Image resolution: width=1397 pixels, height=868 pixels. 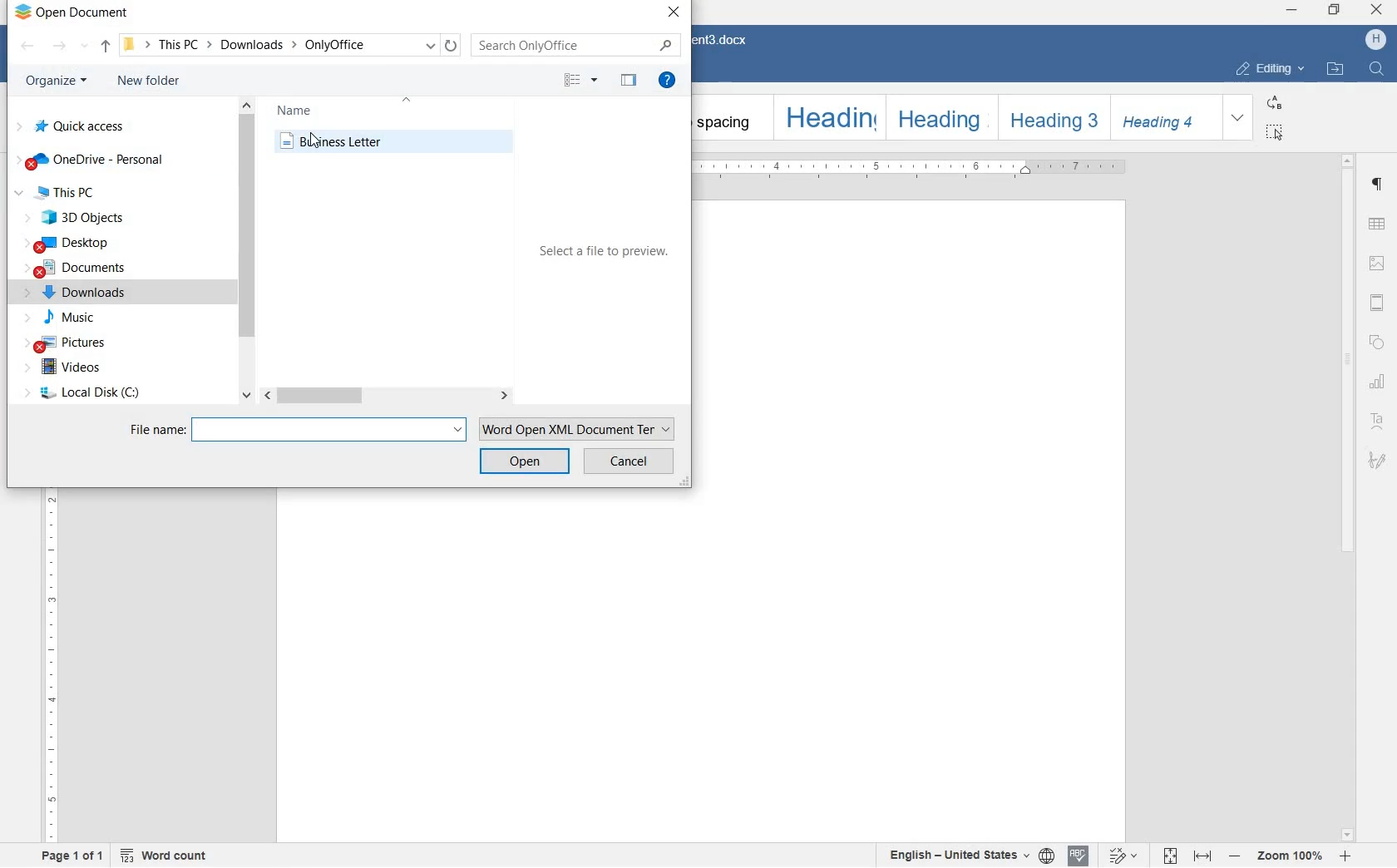 What do you see at coordinates (1123, 855) in the screenshot?
I see `track changes` at bounding box center [1123, 855].